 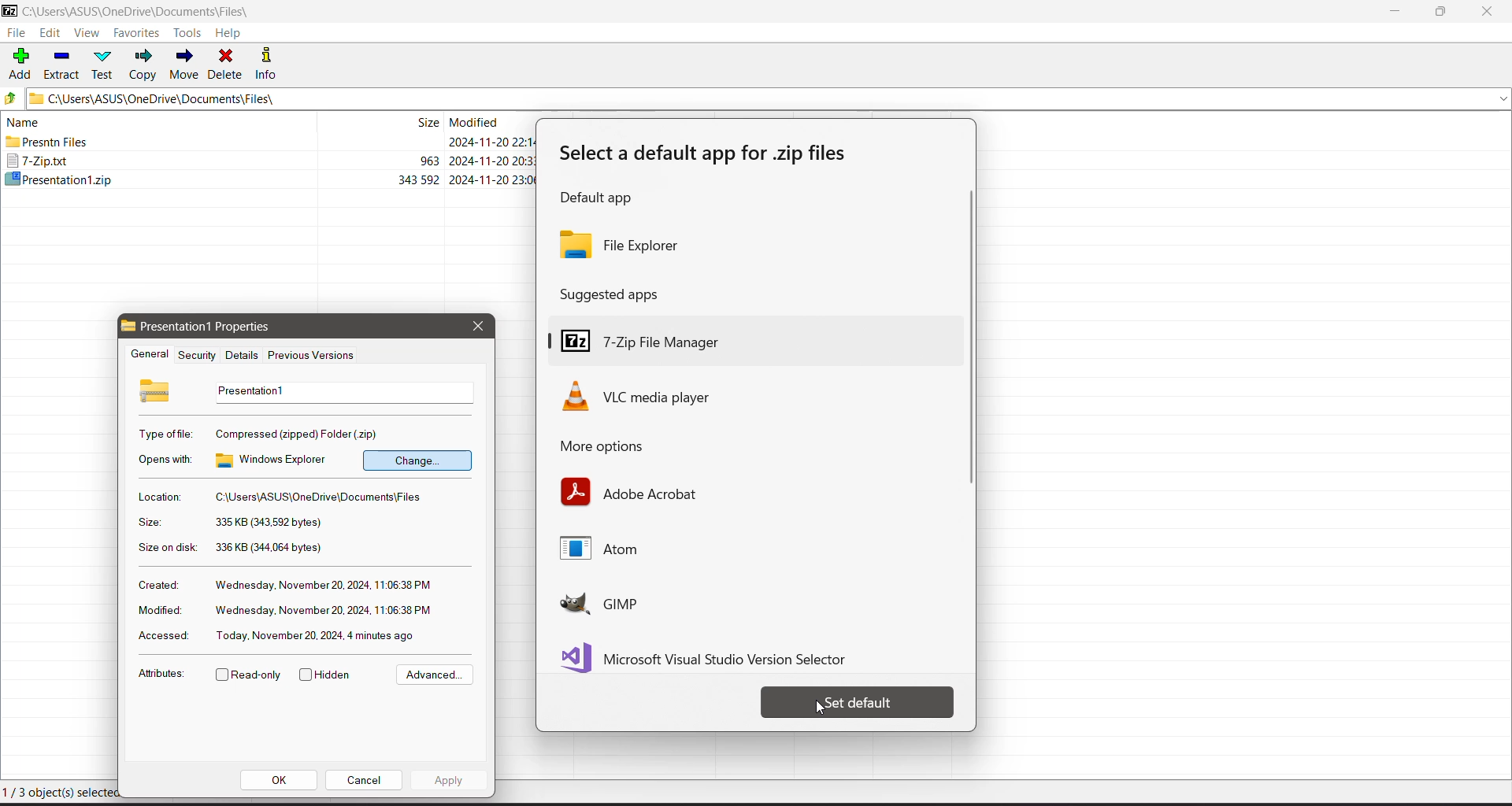 What do you see at coordinates (858, 702) in the screenshot?
I see `Cursor on Set Default` at bounding box center [858, 702].